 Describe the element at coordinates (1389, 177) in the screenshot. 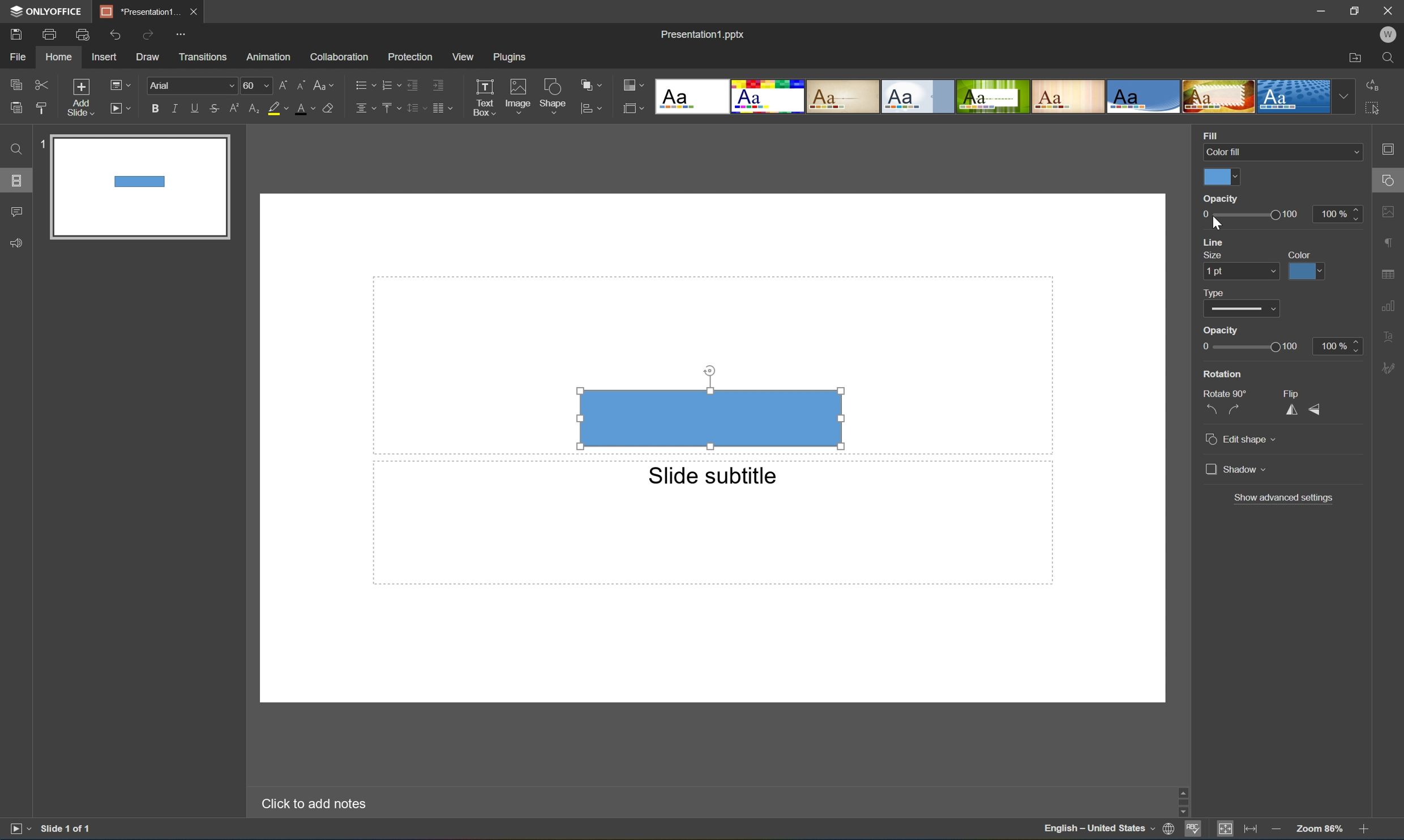

I see `shape settings` at that location.